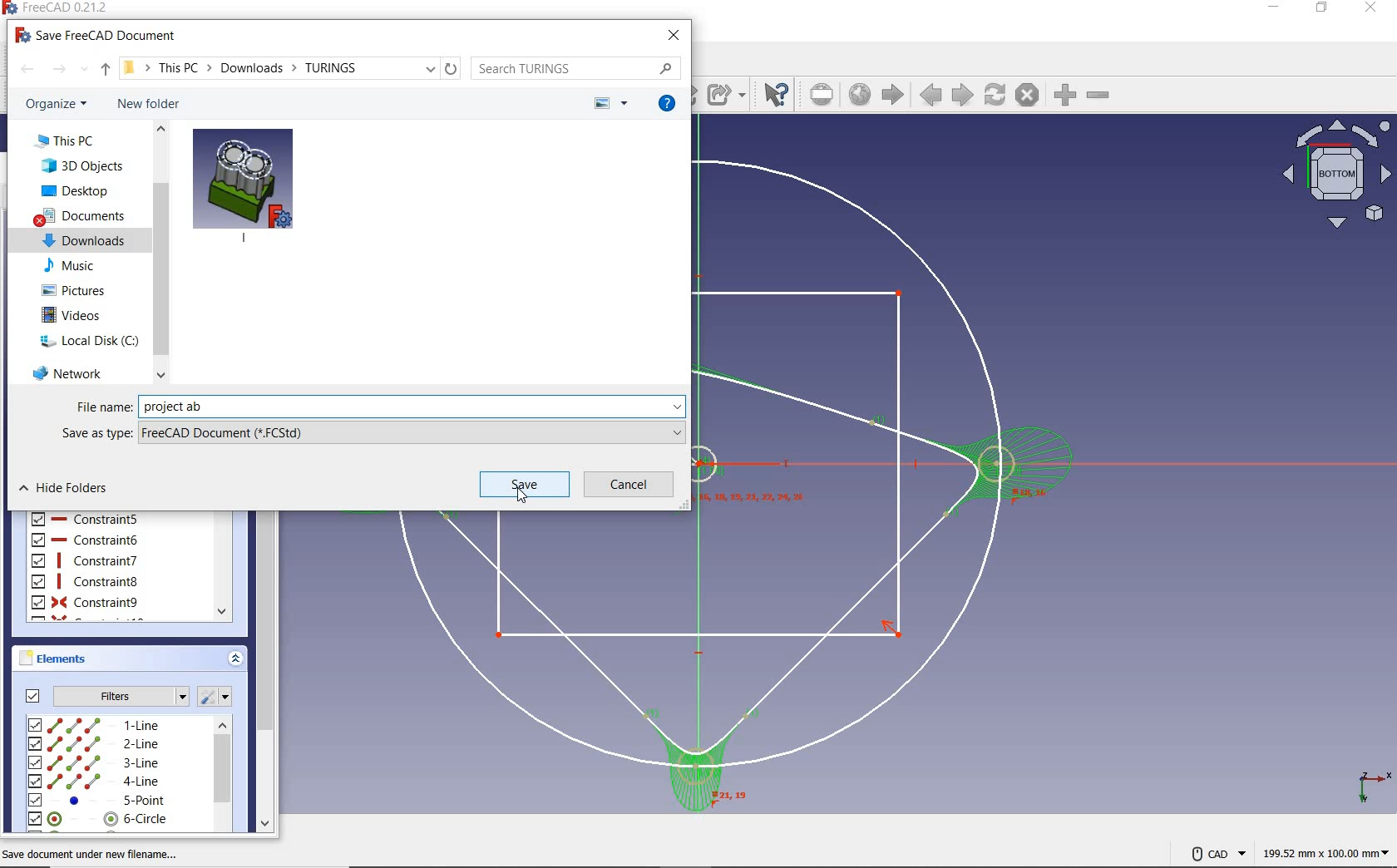 The height and width of the screenshot is (868, 1397). Describe the element at coordinates (82, 216) in the screenshot. I see `documents` at that location.